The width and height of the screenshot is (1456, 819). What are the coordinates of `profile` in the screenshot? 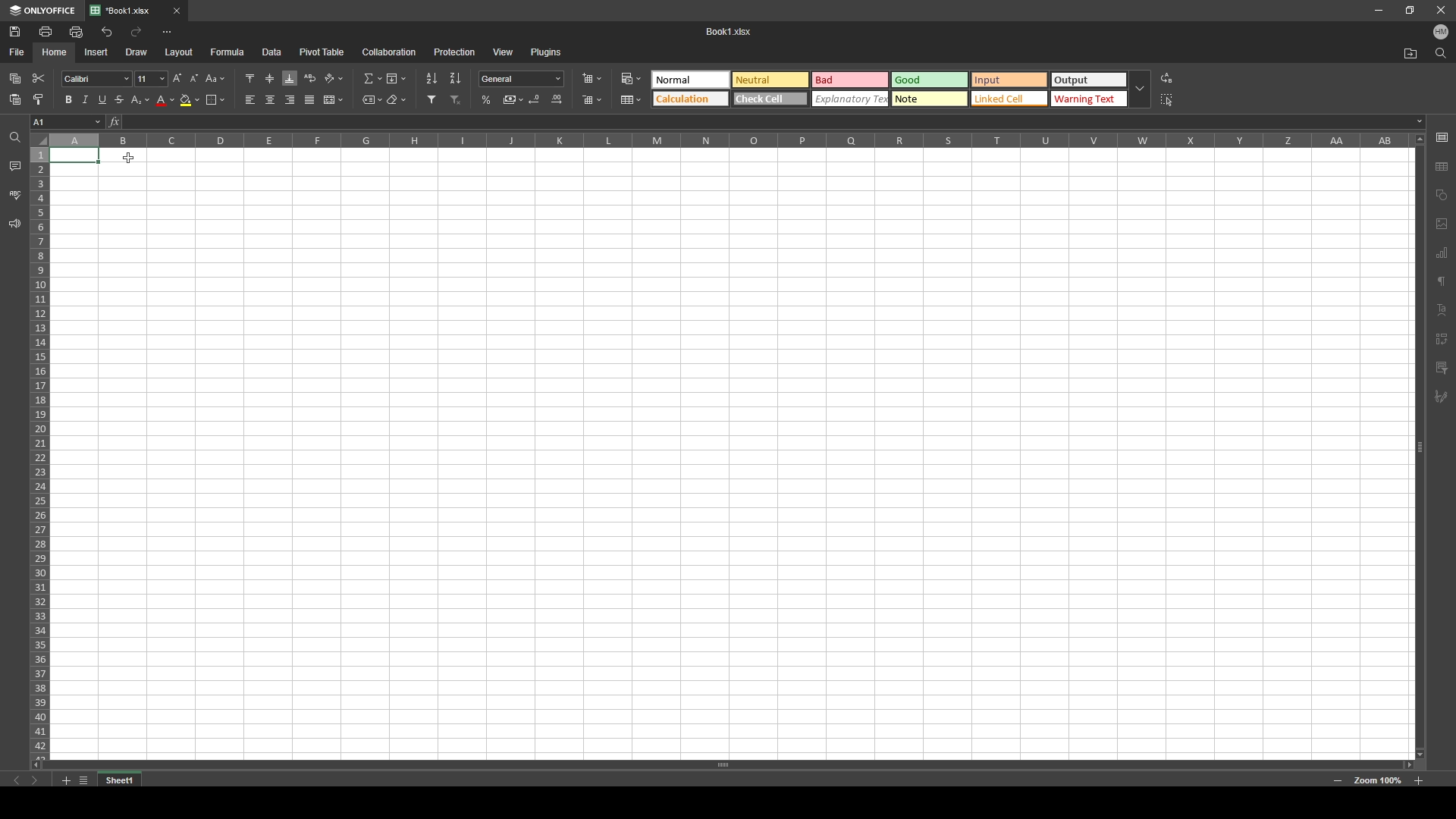 It's located at (1441, 31).